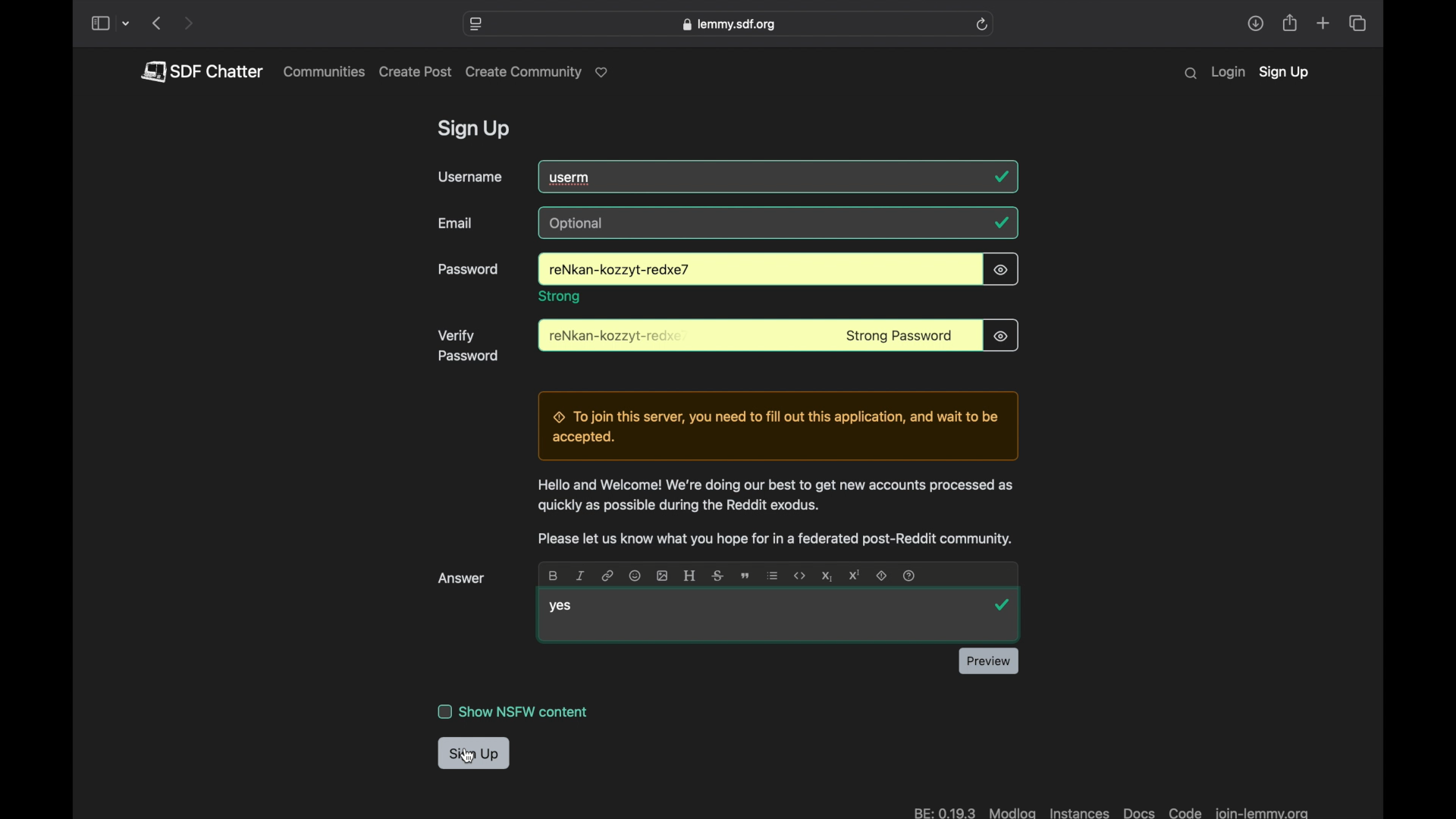 The image size is (1456, 819). What do you see at coordinates (1139, 811) in the screenshot?
I see `docs` at bounding box center [1139, 811].